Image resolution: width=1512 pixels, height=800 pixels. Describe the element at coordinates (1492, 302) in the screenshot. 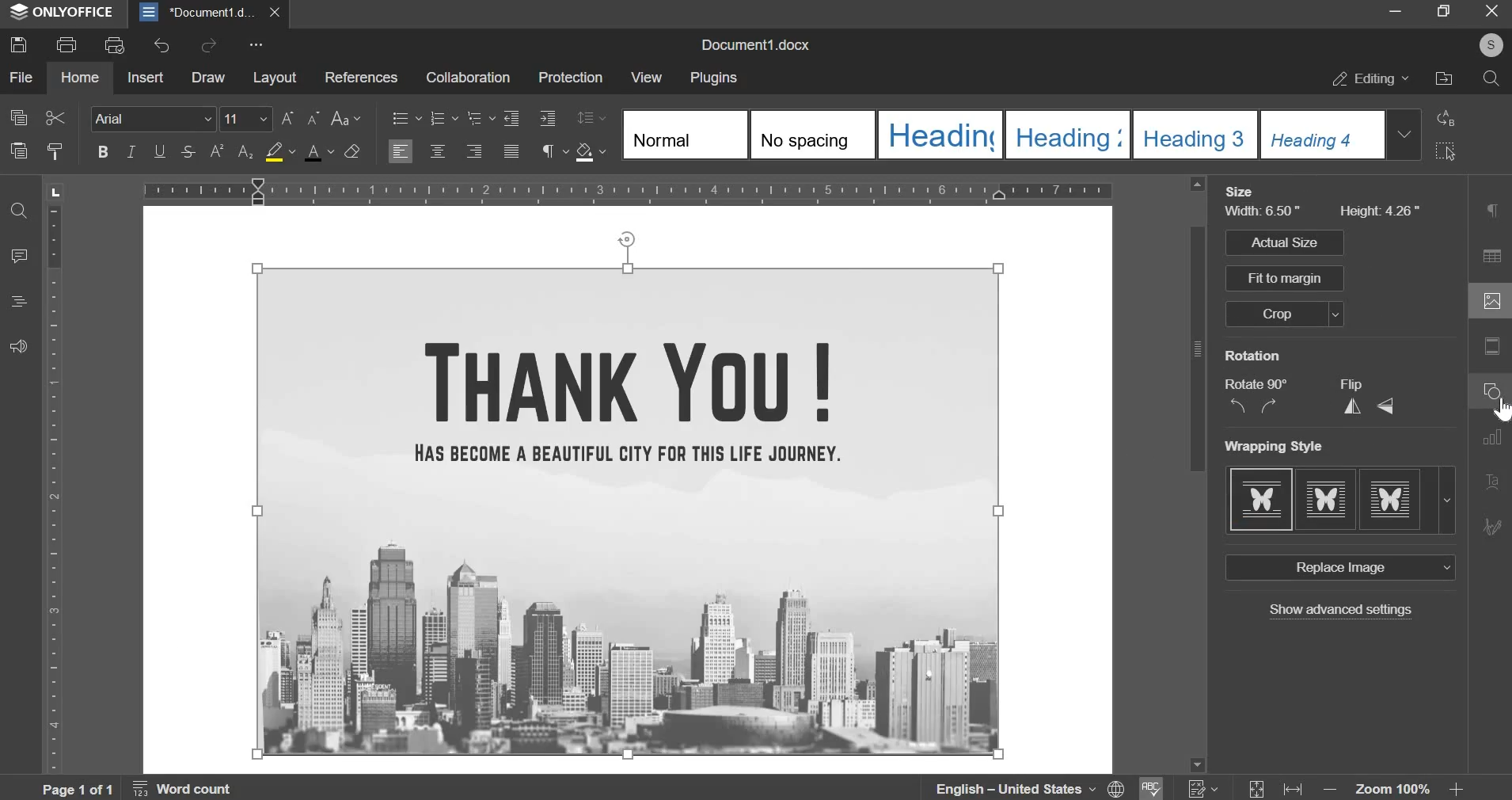

I see `image settings` at that location.